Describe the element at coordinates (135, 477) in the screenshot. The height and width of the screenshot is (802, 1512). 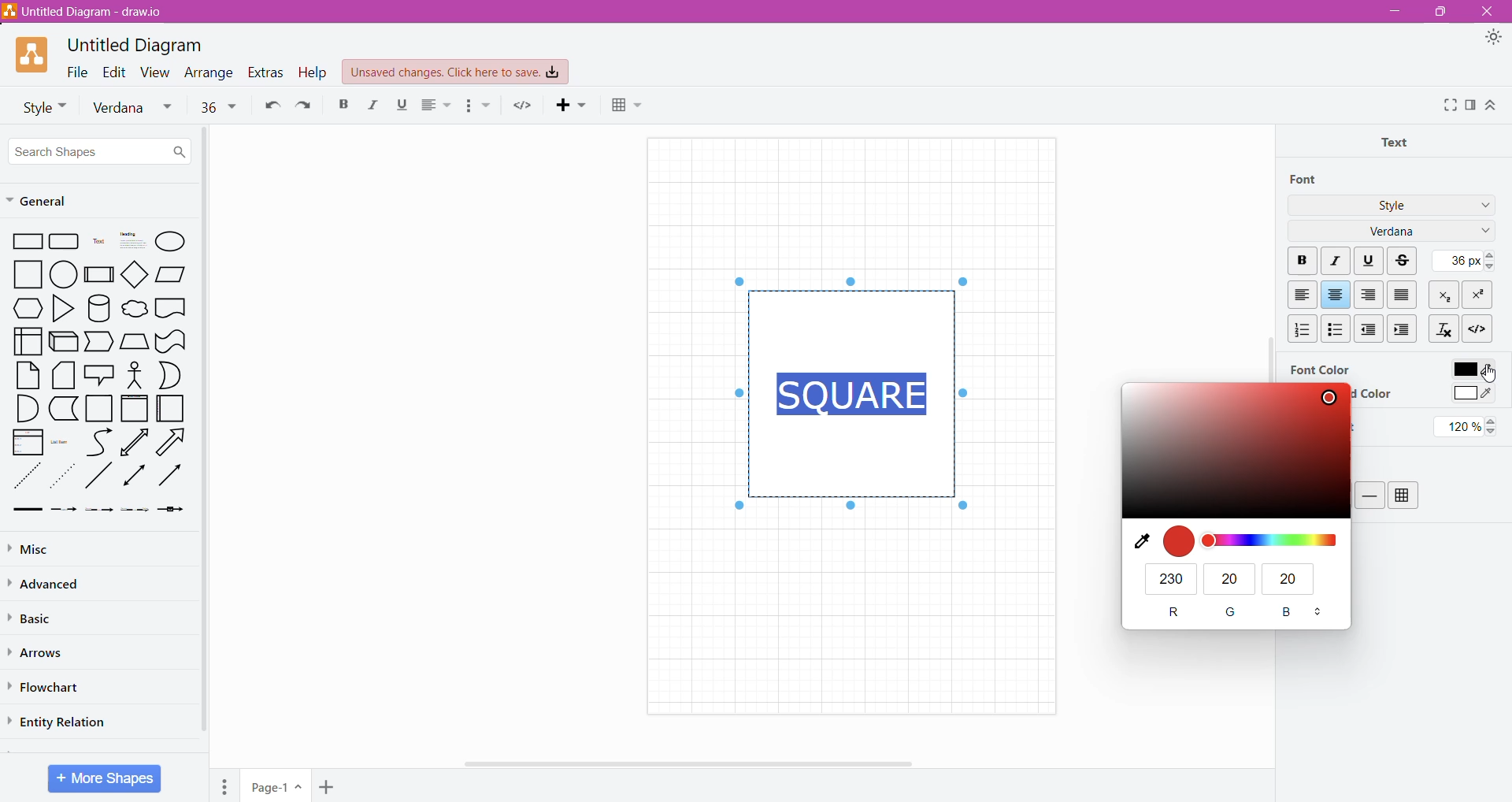
I see `Double Arrow ` at that location.